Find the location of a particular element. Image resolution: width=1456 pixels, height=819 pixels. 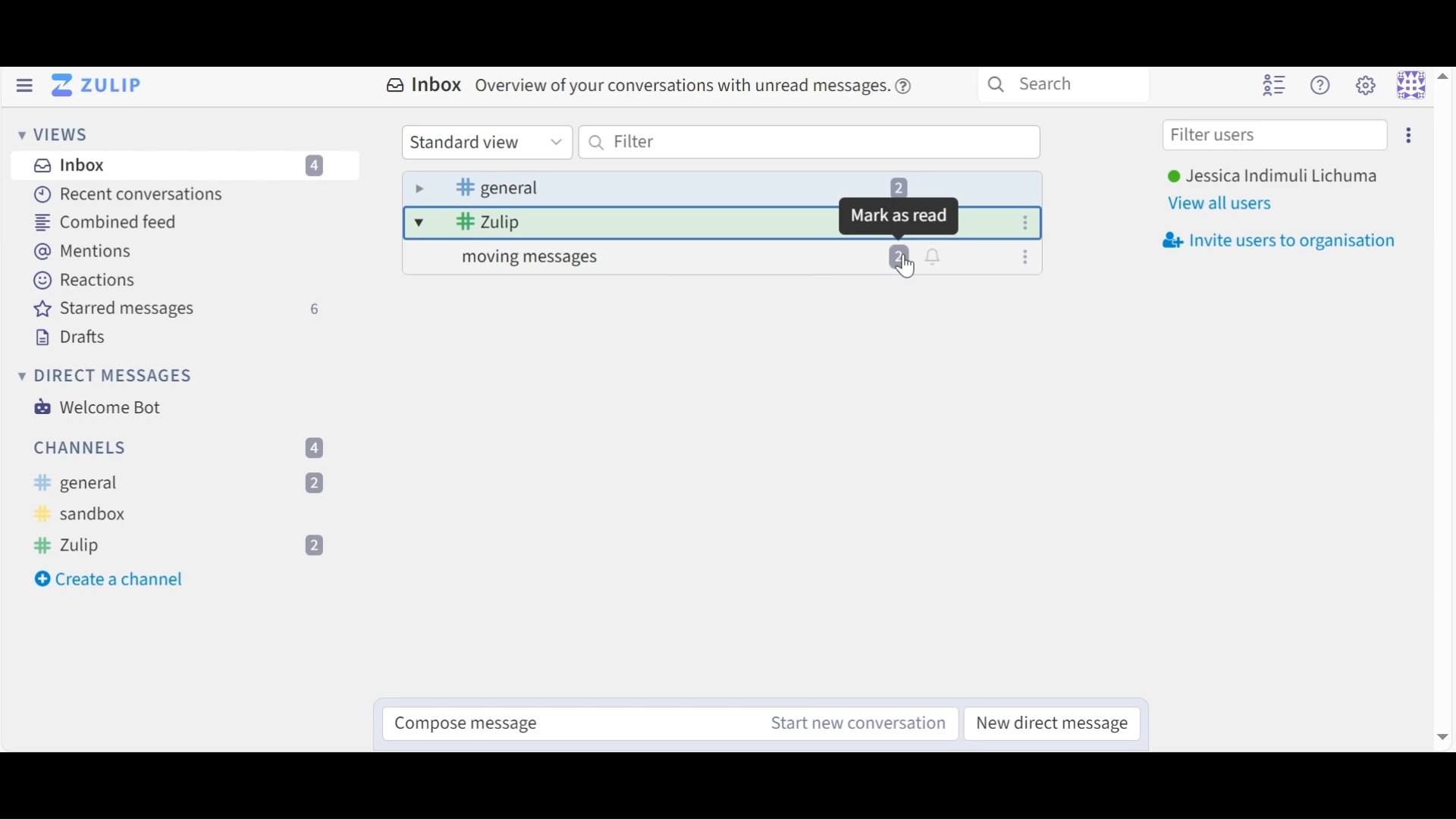

settings is located at coordinates (1410, 136).